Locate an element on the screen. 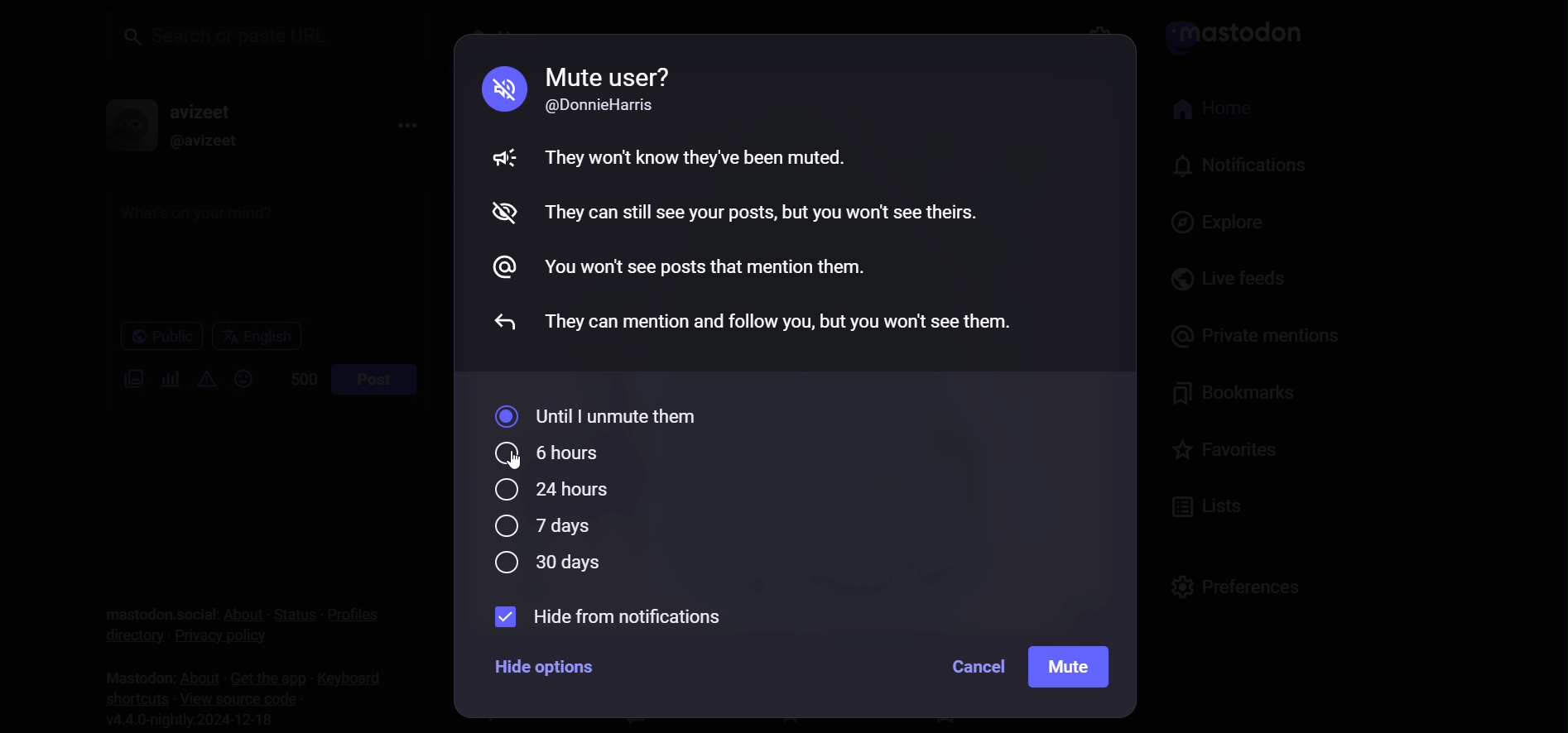 The width and height of the screenshot is (1568, 733). mute is located at coordinates (498, 160).